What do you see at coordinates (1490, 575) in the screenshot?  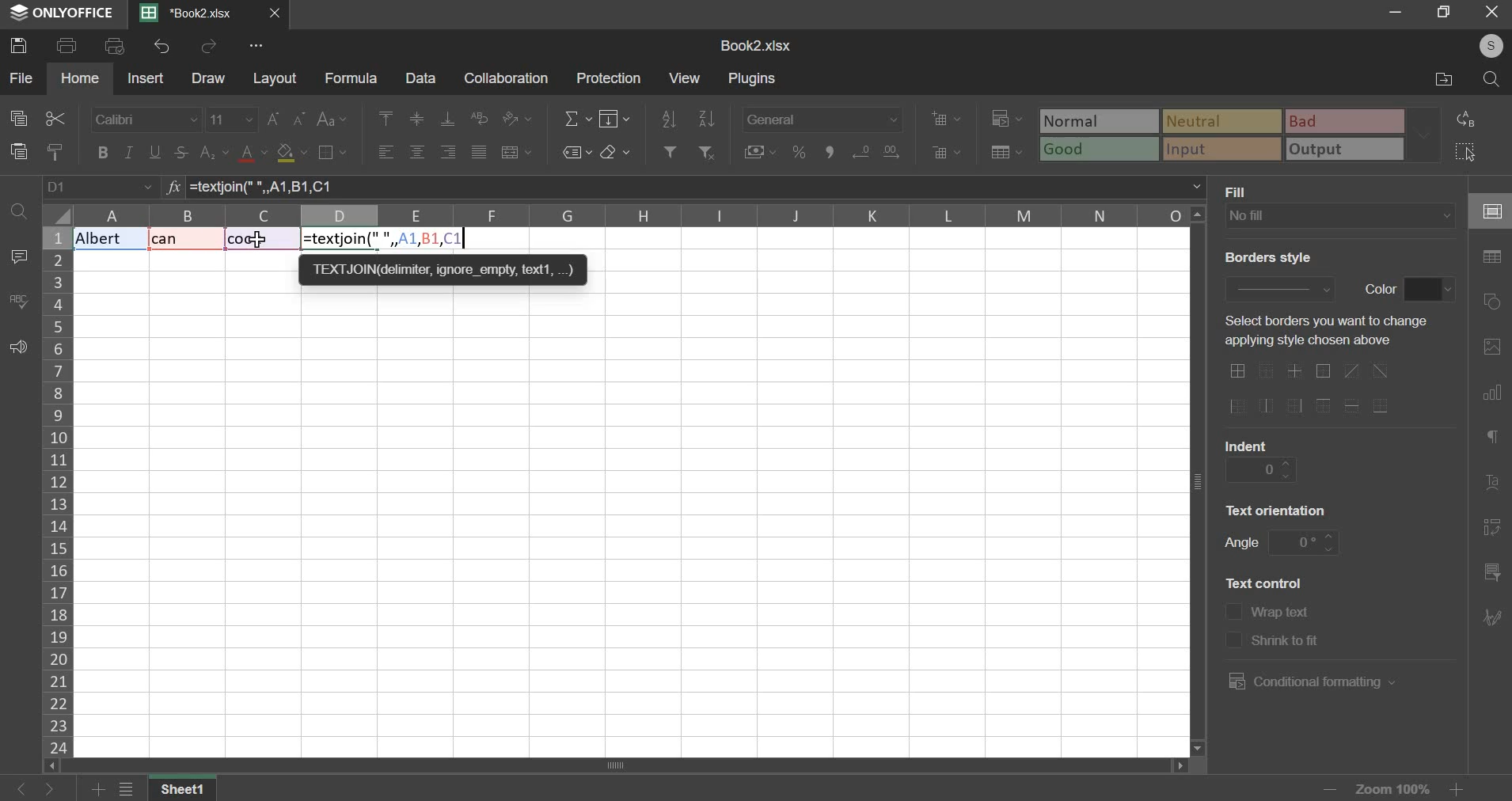 I see `slicer` at bounding box center [1490, 575].